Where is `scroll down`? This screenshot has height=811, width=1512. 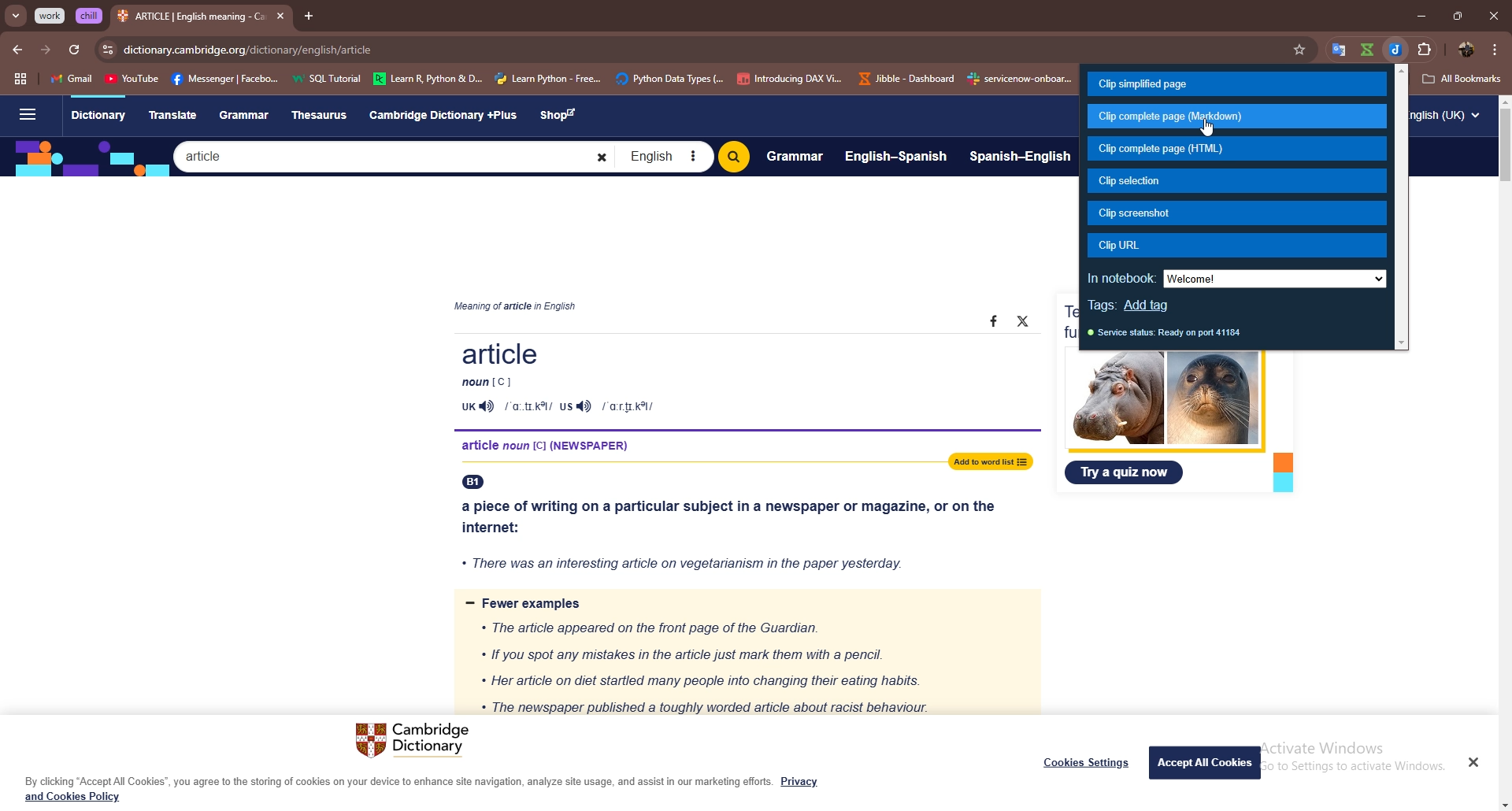
scroll down is located at coordinates (1503, 805).